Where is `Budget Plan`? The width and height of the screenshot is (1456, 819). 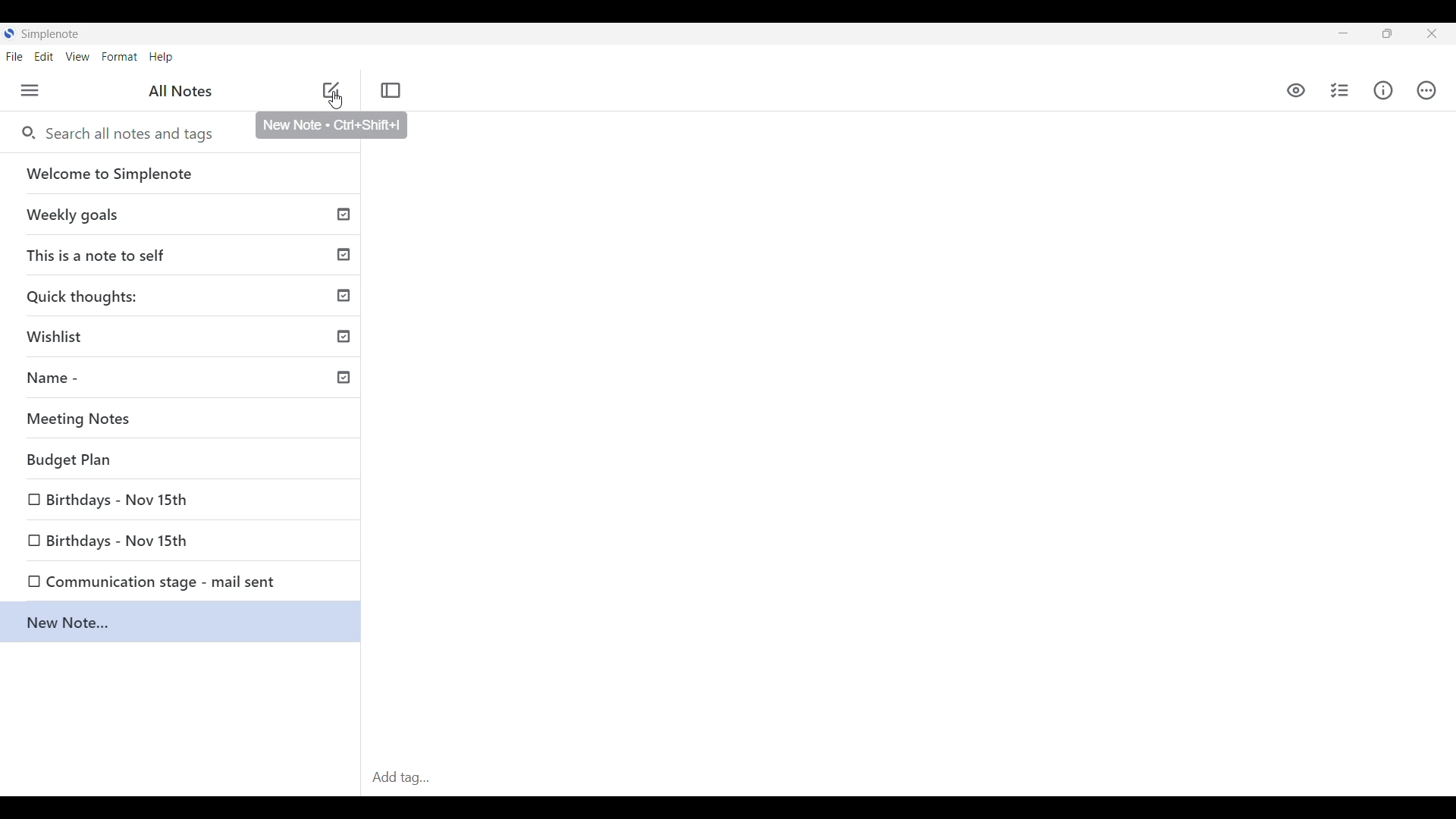 Budget Plan is located at coordinates (184, 461).